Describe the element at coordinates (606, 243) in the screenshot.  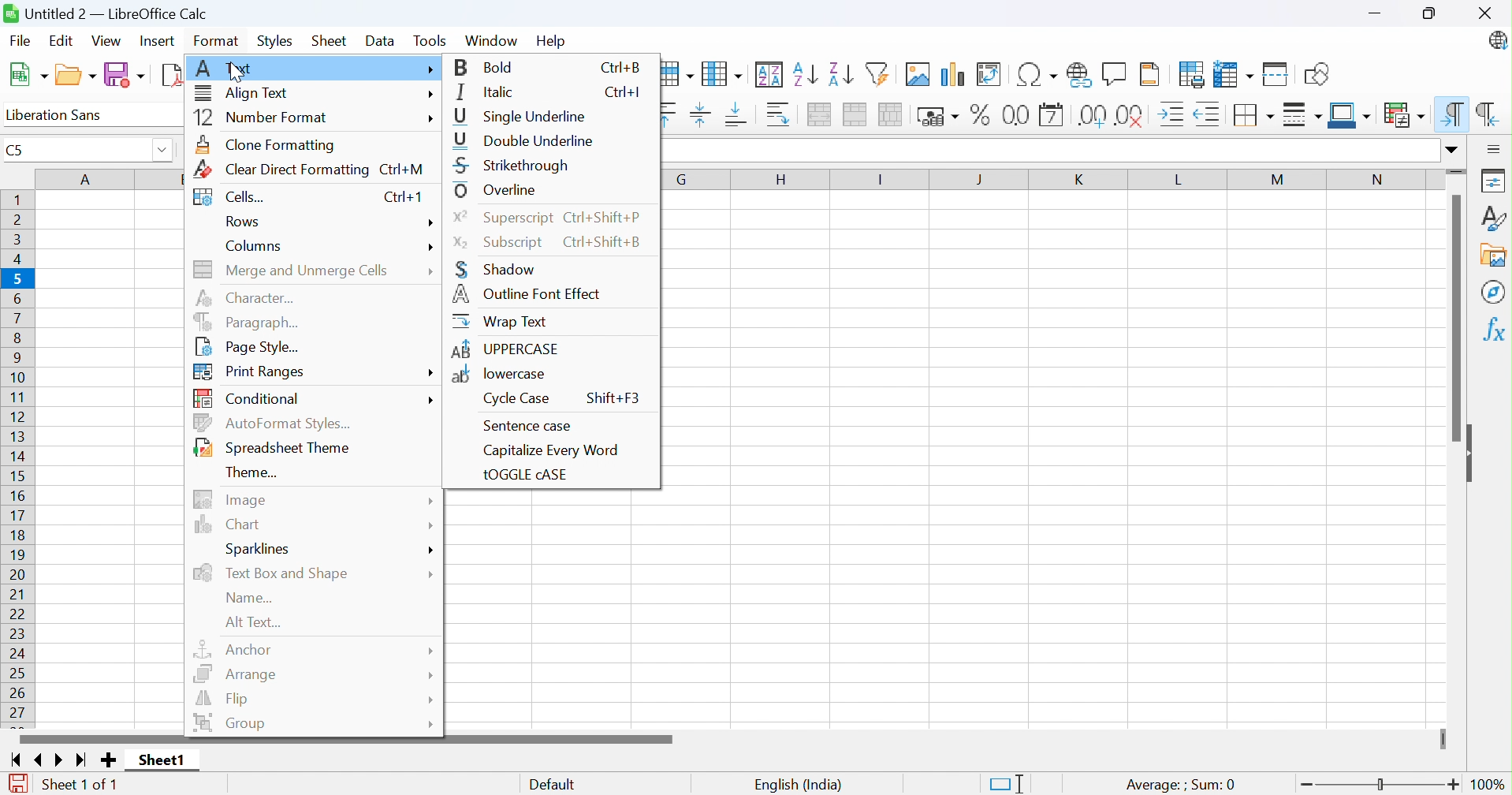
I see `Ctrl+Shift+B` at that location.